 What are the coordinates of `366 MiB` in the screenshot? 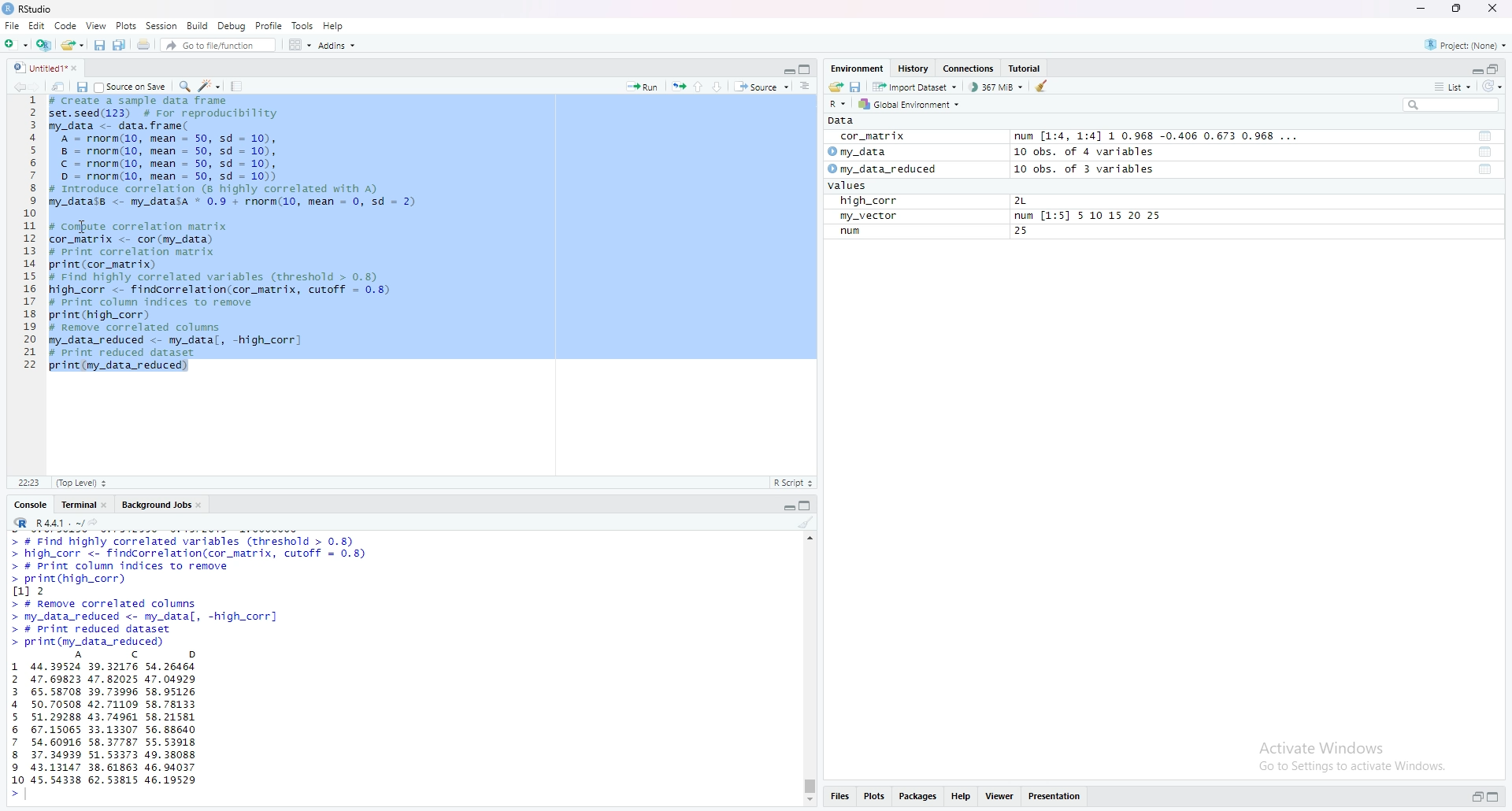 It's located at (996, 87).